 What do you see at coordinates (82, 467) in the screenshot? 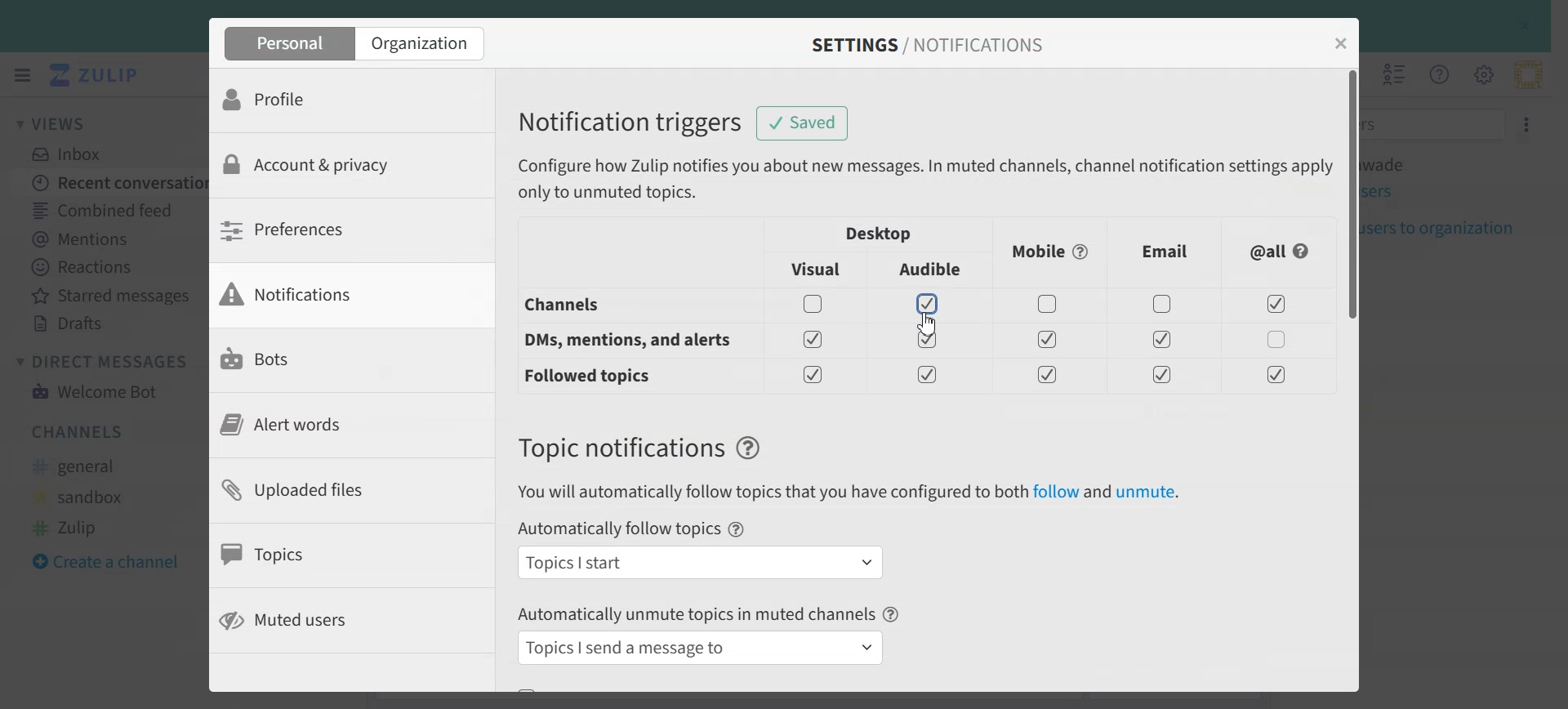
I see `#general` at bounding box center [82, 467].